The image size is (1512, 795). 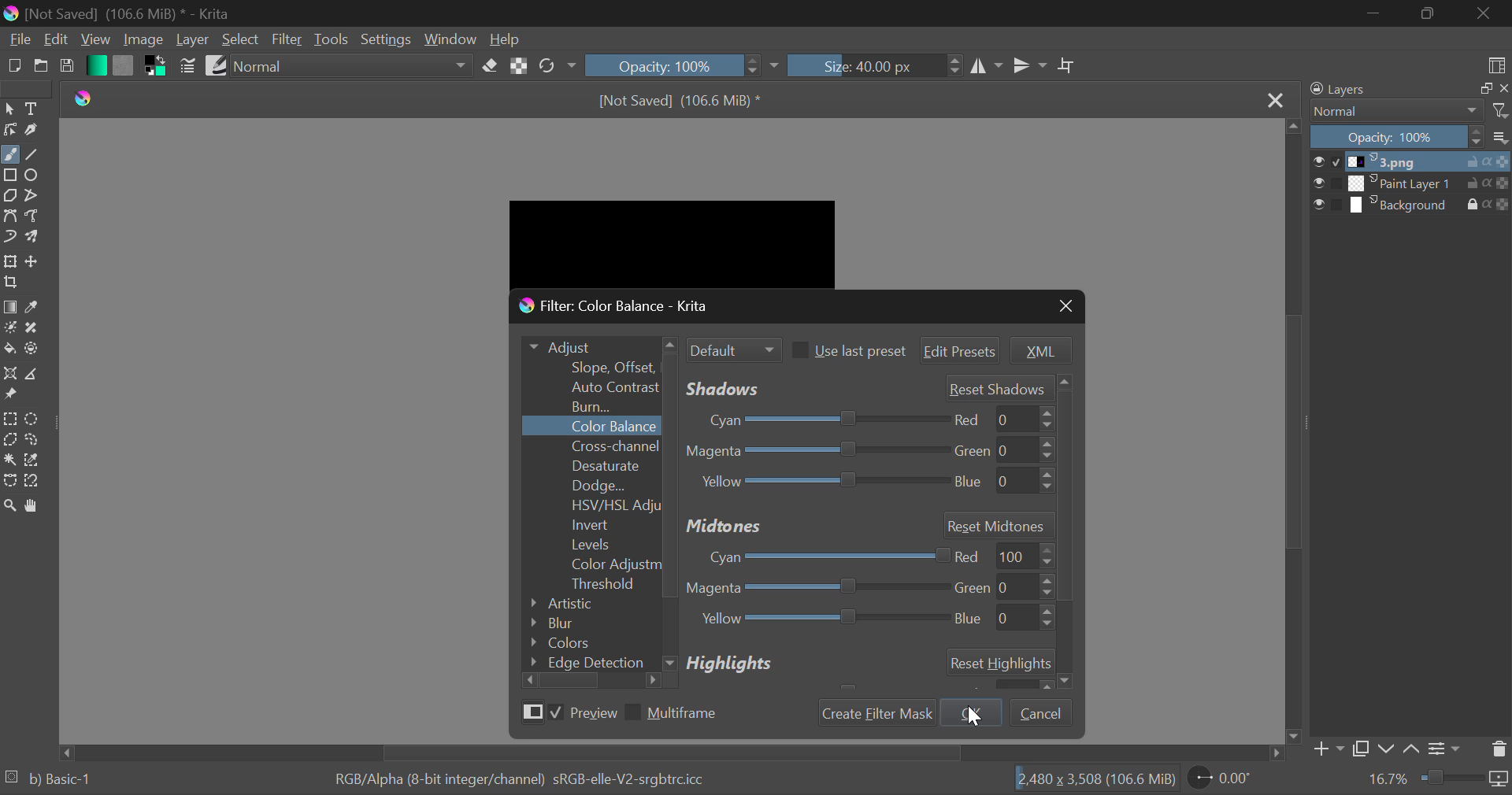 I want to click on Transform Layer, so click(x=10, y=262).